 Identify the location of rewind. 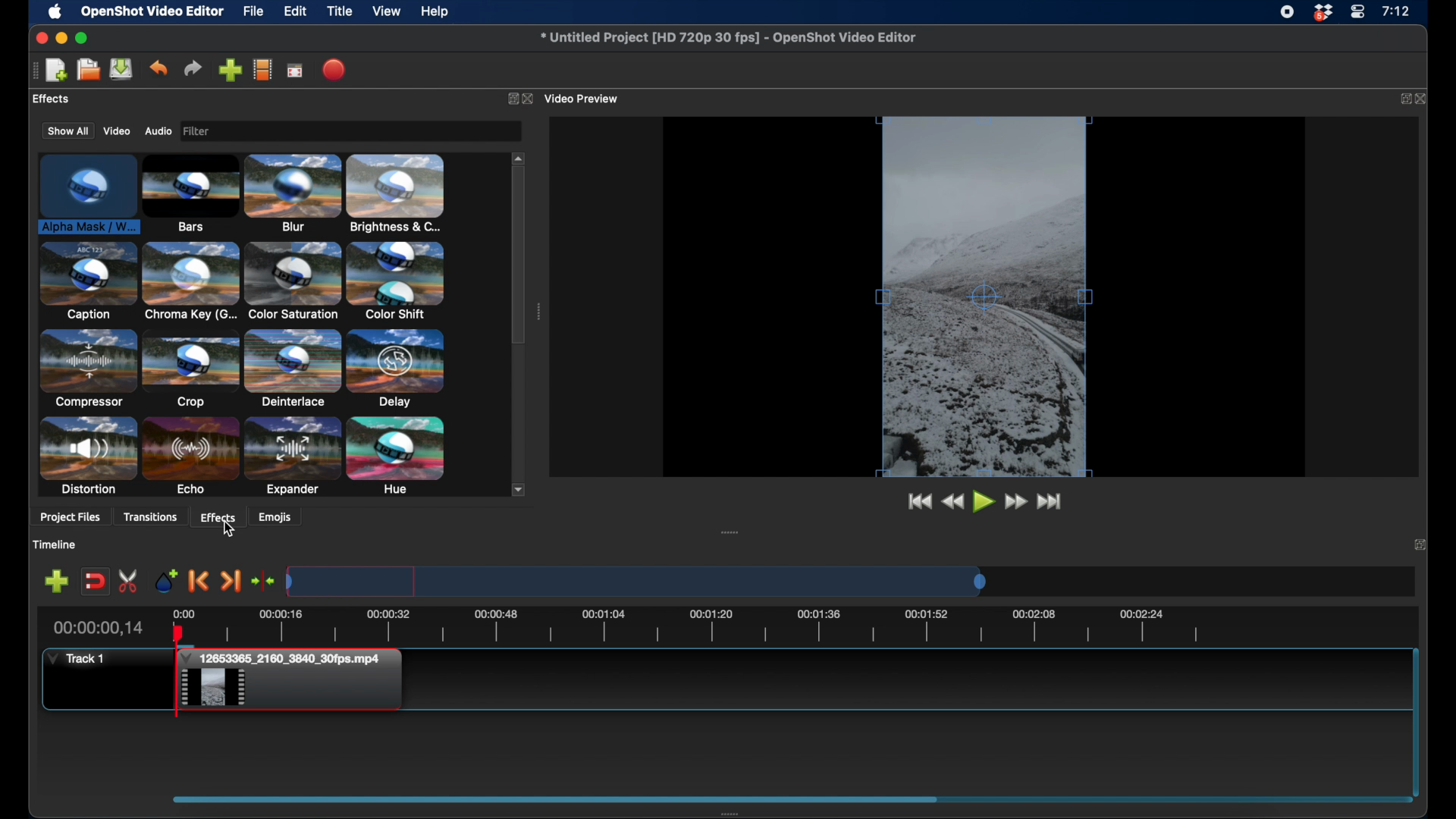
(954, 503).